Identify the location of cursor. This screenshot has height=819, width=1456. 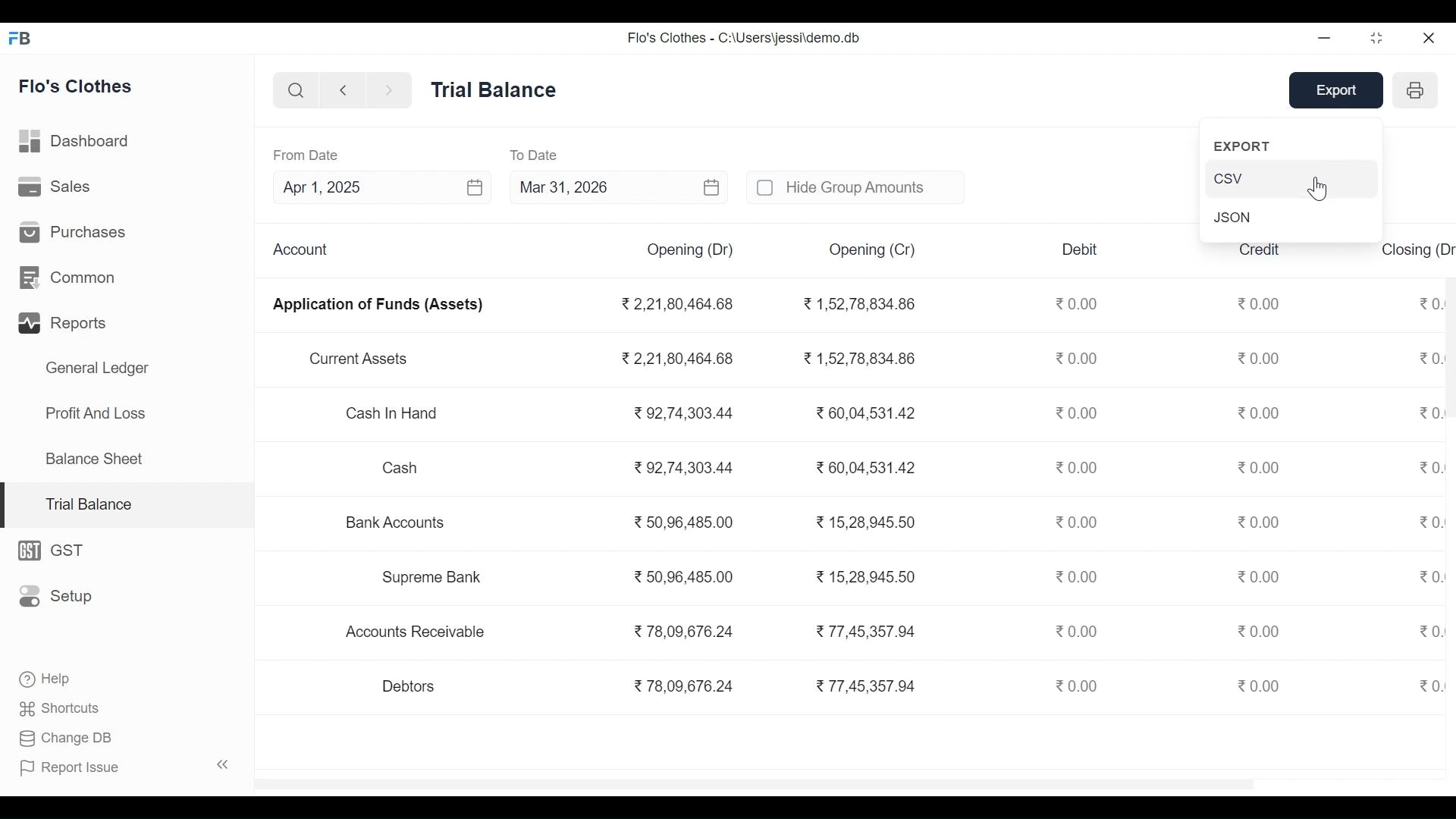
(1323, 187).